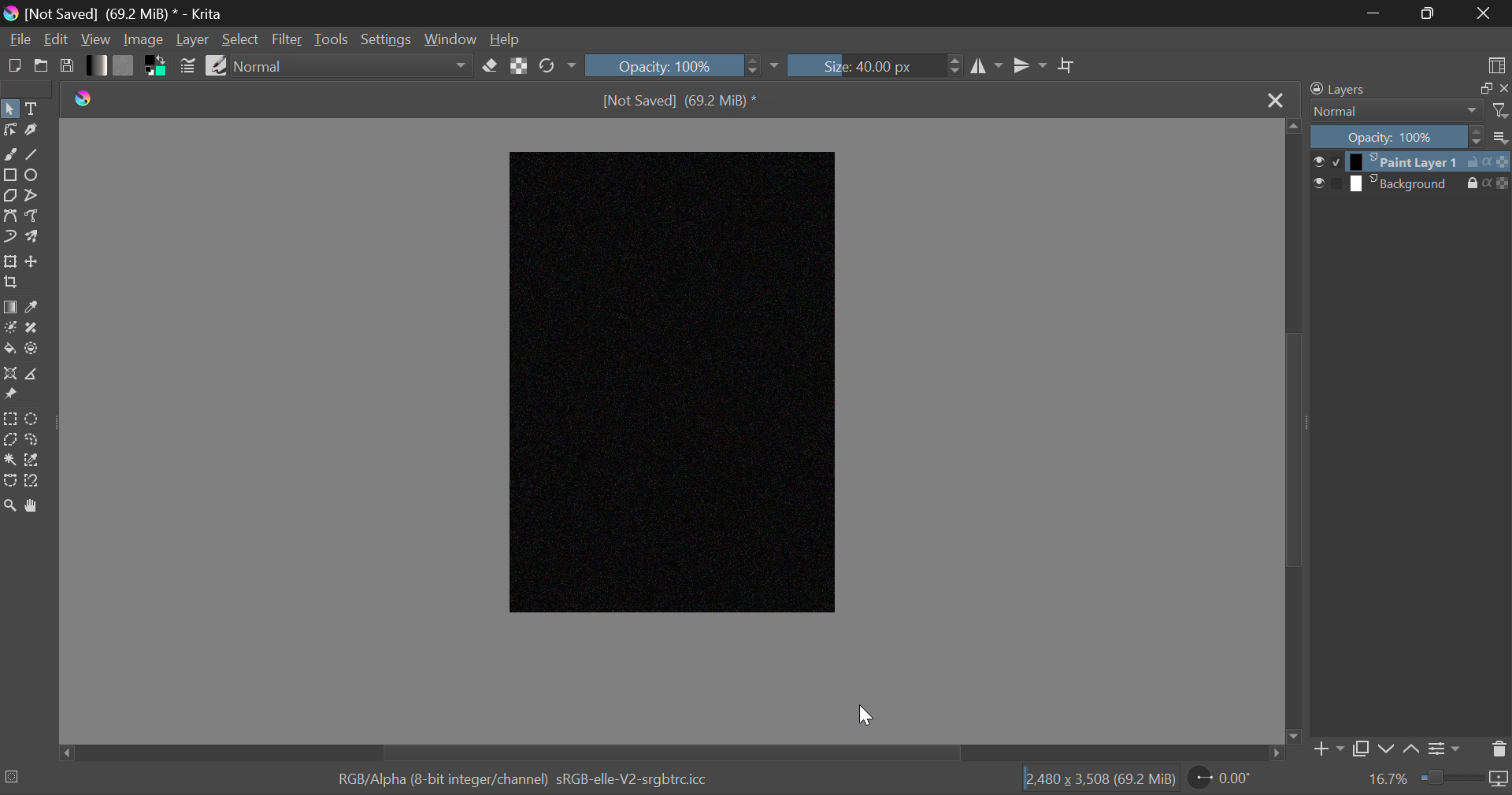 Image resolution: width=1512 pixels, height=795 pixels. Describe the element at coordinates (10, 418) in the screenshot. I see `Rectangular Selection` at that location.